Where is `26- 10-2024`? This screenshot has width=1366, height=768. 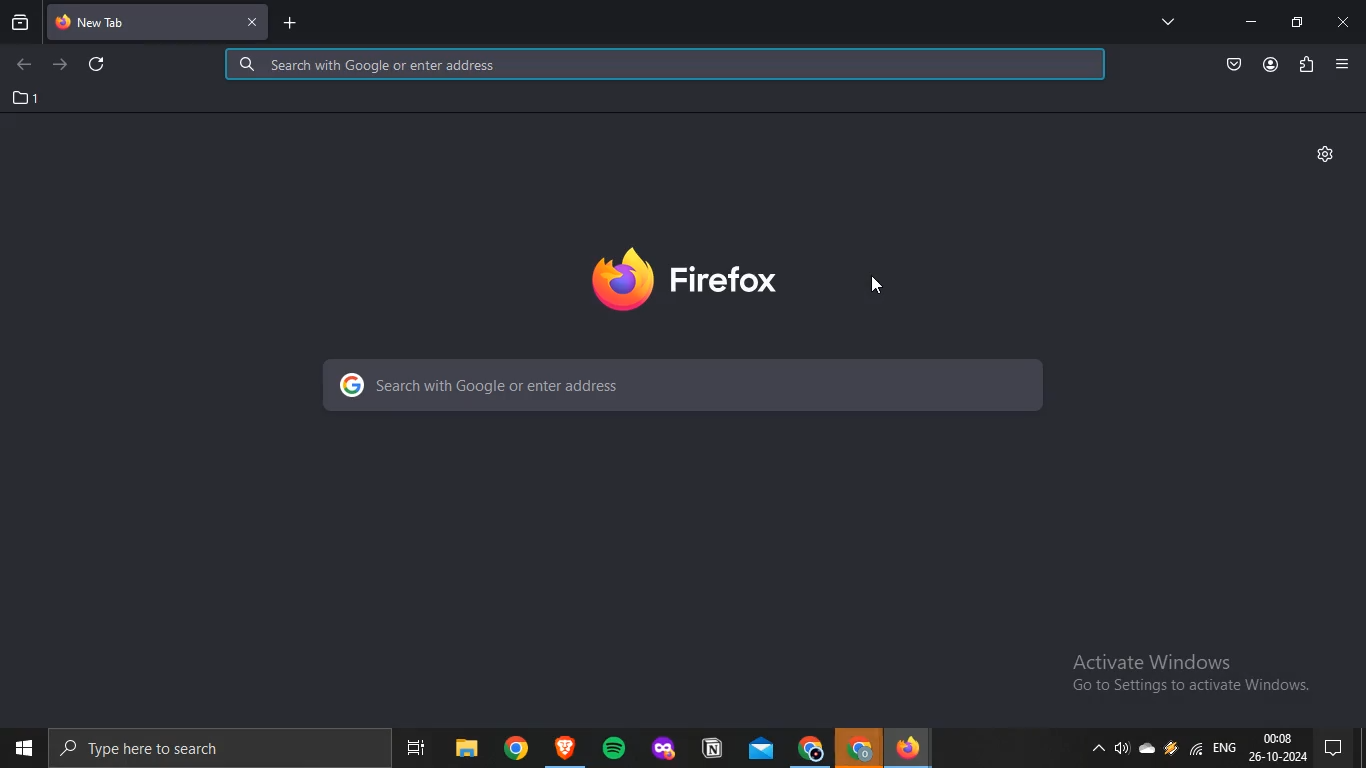
26- 10-2024 is located at coordinates (1280, 758).